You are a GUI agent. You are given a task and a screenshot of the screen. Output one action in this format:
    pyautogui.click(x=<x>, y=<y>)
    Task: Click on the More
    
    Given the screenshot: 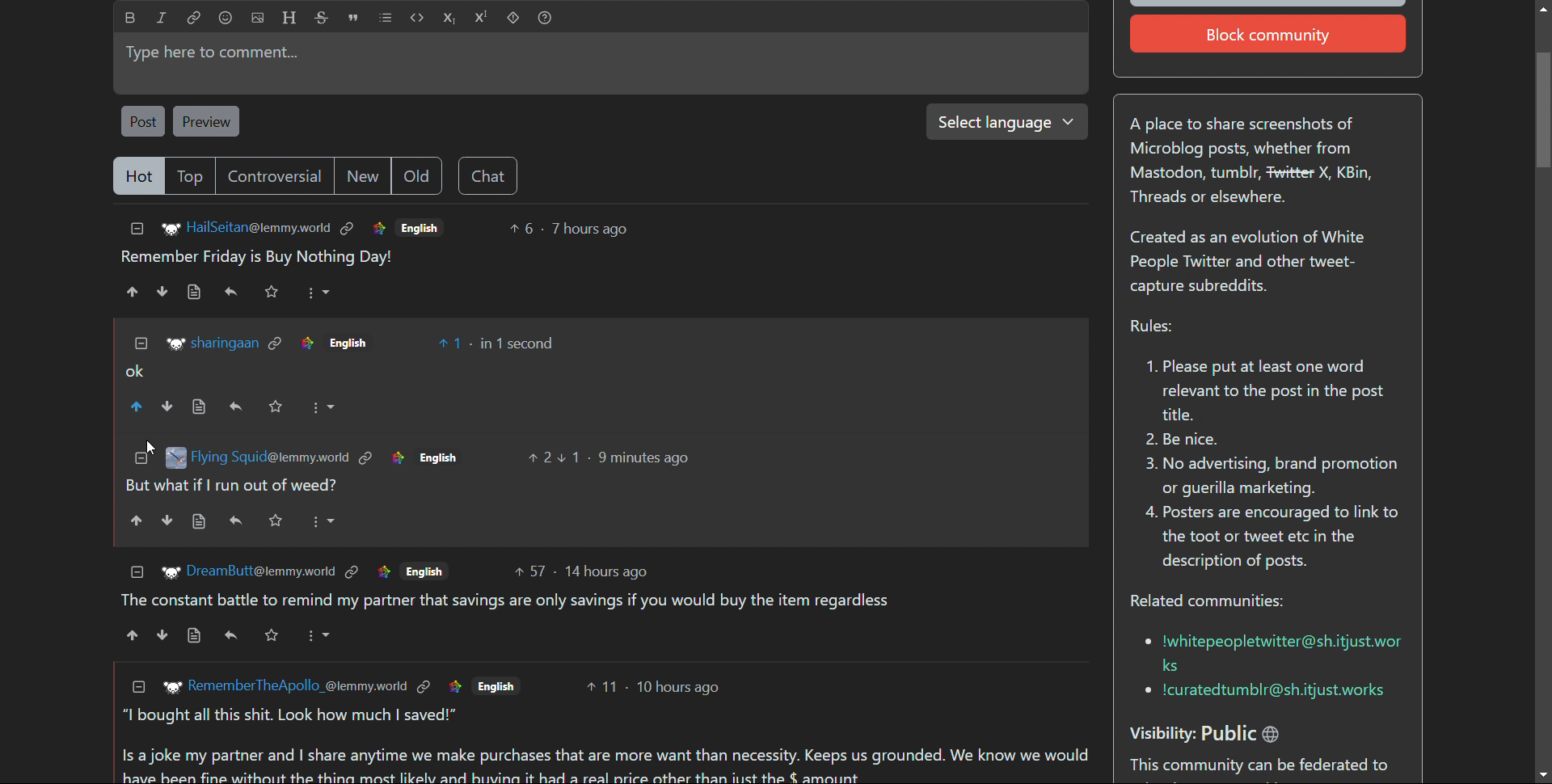 What is the action you would take?
    pyautogui.click(x=317, y=293)
    